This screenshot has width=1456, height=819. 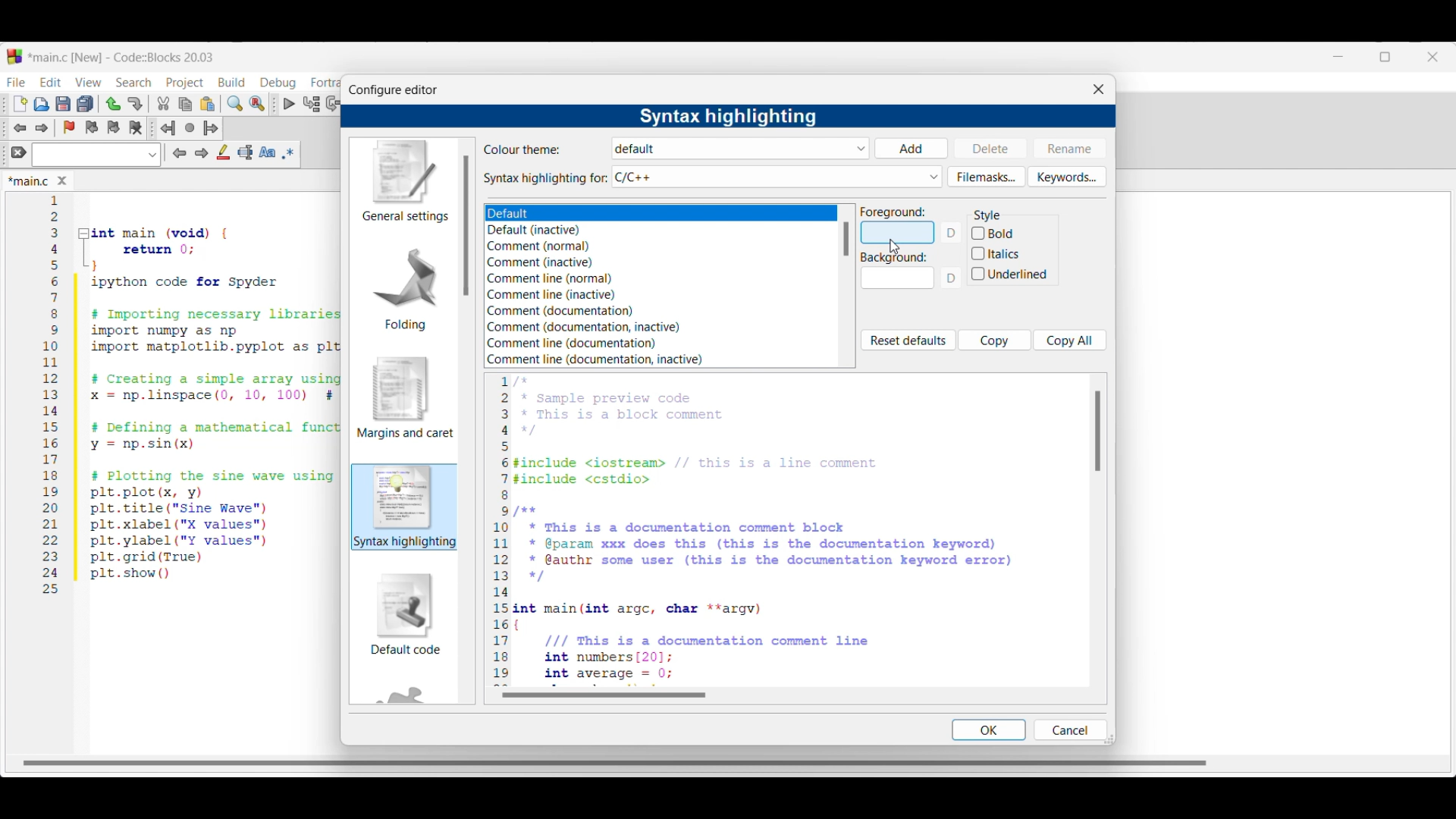 What do you see at coordinates (991, 147) in the screenshot?
I see `Delete` at bounding box center [991, 147].